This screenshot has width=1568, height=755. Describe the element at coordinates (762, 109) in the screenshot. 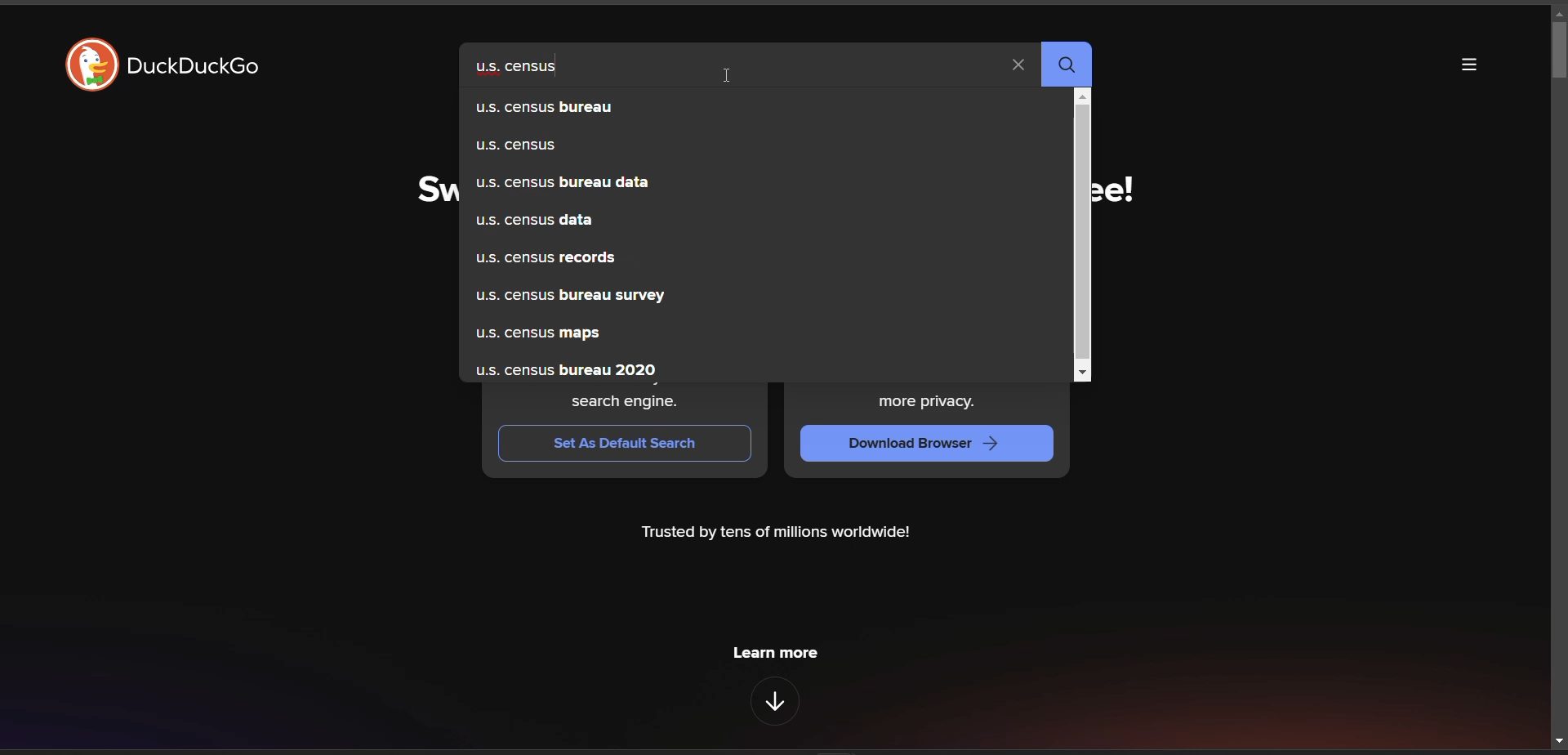

I see `U.S. census bureau` at that location.